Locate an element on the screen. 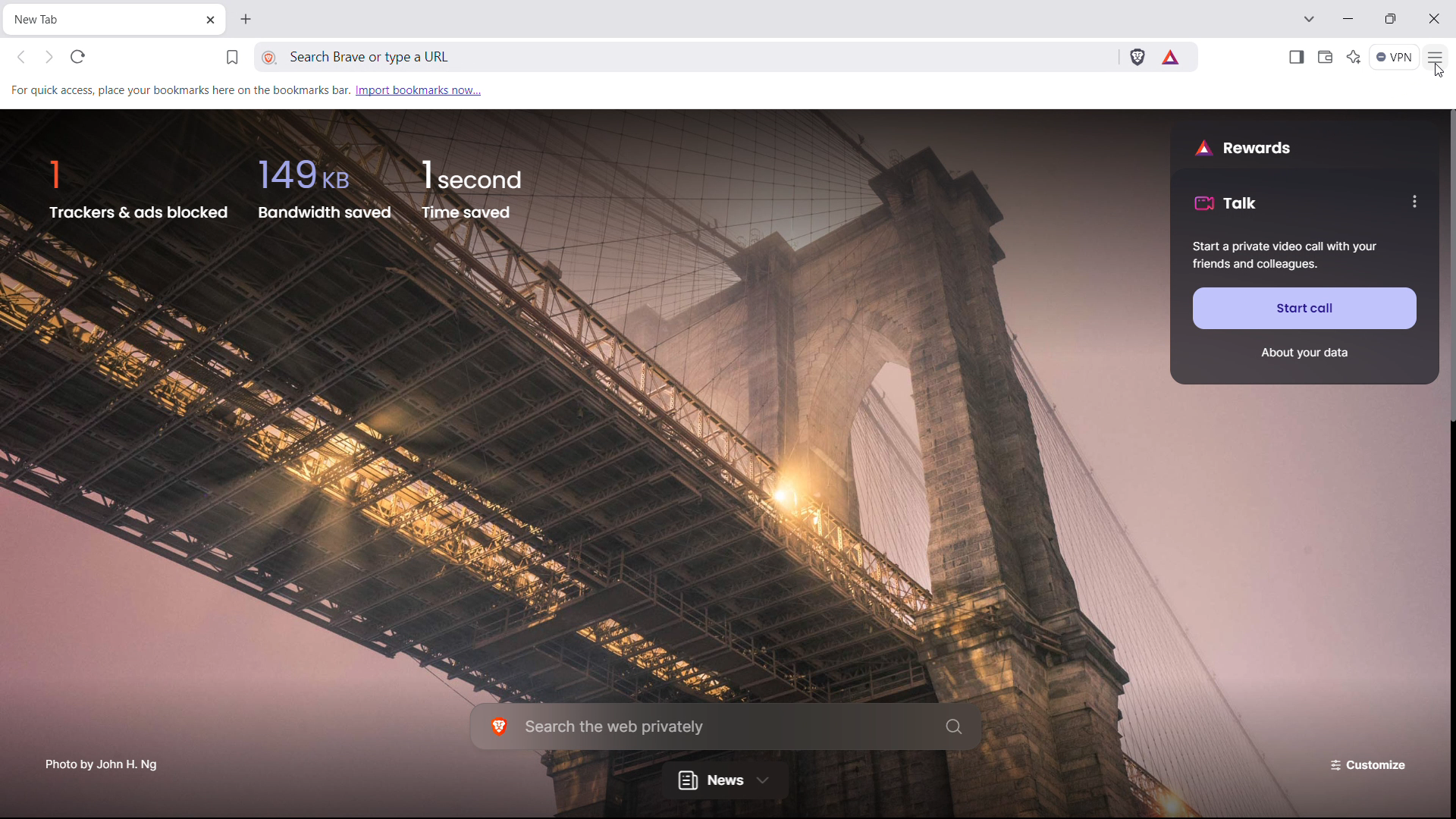 The image size is (1456, 819). Start a private video call with your friends and colleagues. is located at coordinates (1282, 255).